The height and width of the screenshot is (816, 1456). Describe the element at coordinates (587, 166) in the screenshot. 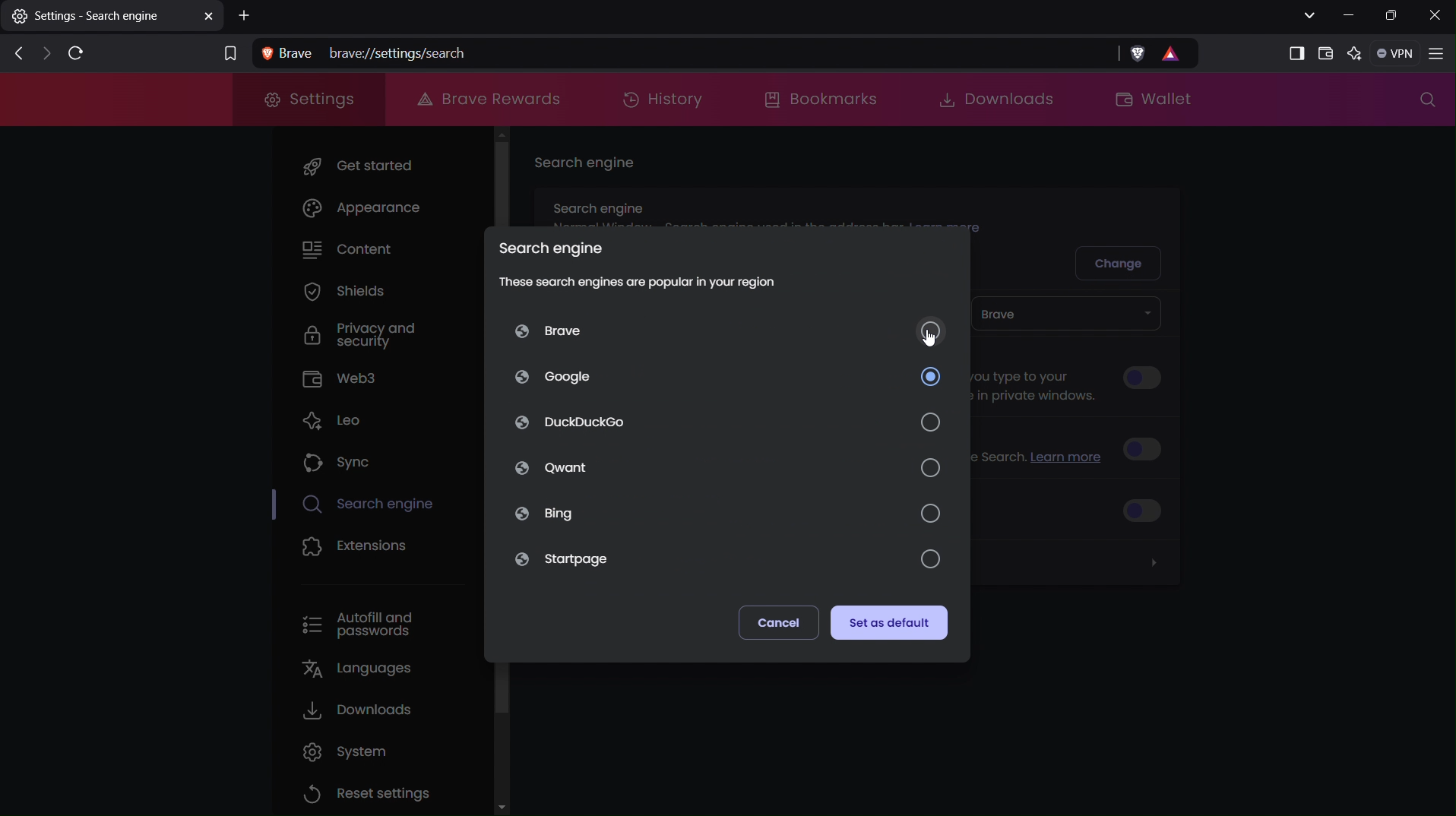

I see `Search engine` at that location.